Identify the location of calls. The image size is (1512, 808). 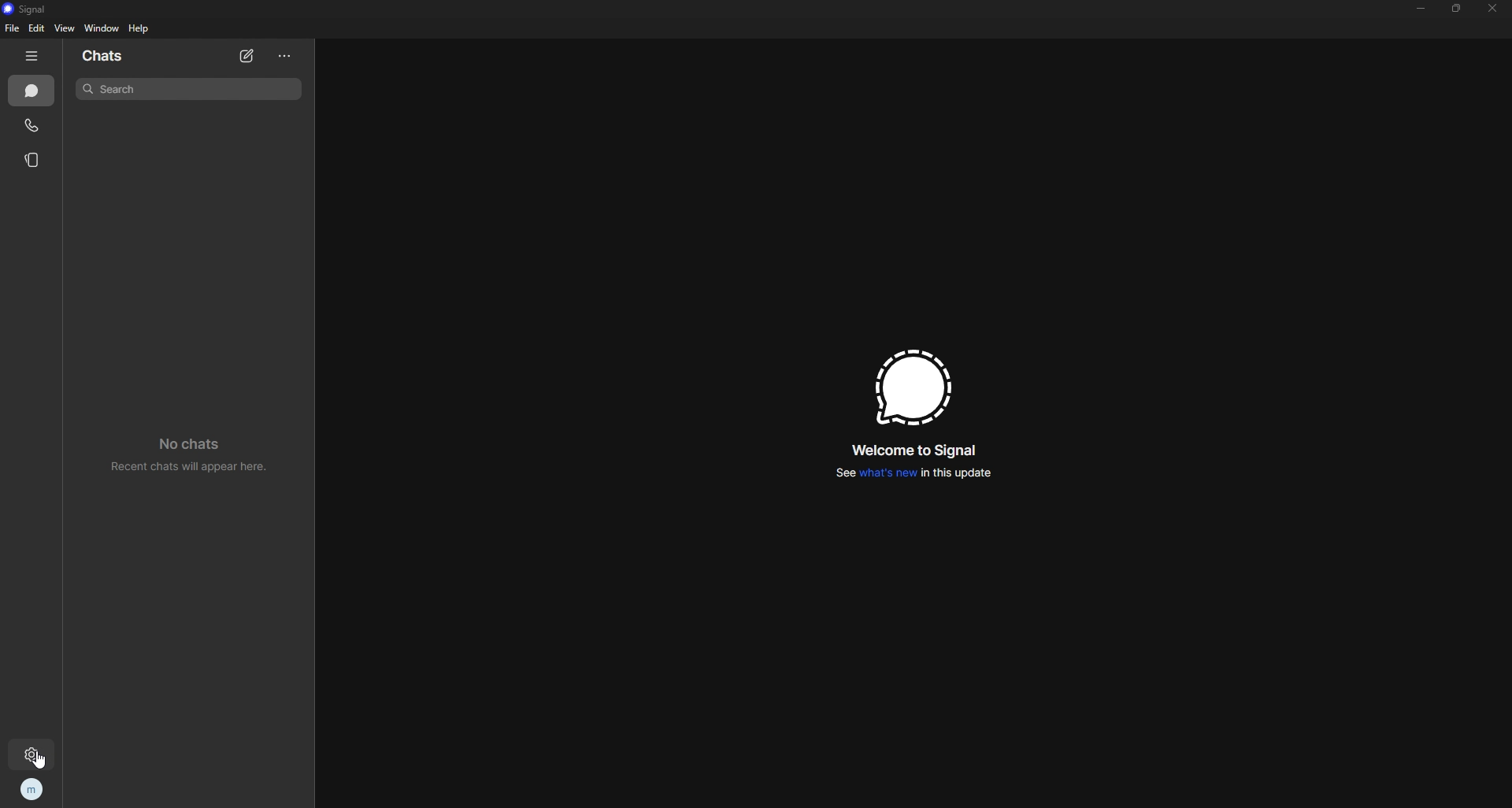
(33, 126).